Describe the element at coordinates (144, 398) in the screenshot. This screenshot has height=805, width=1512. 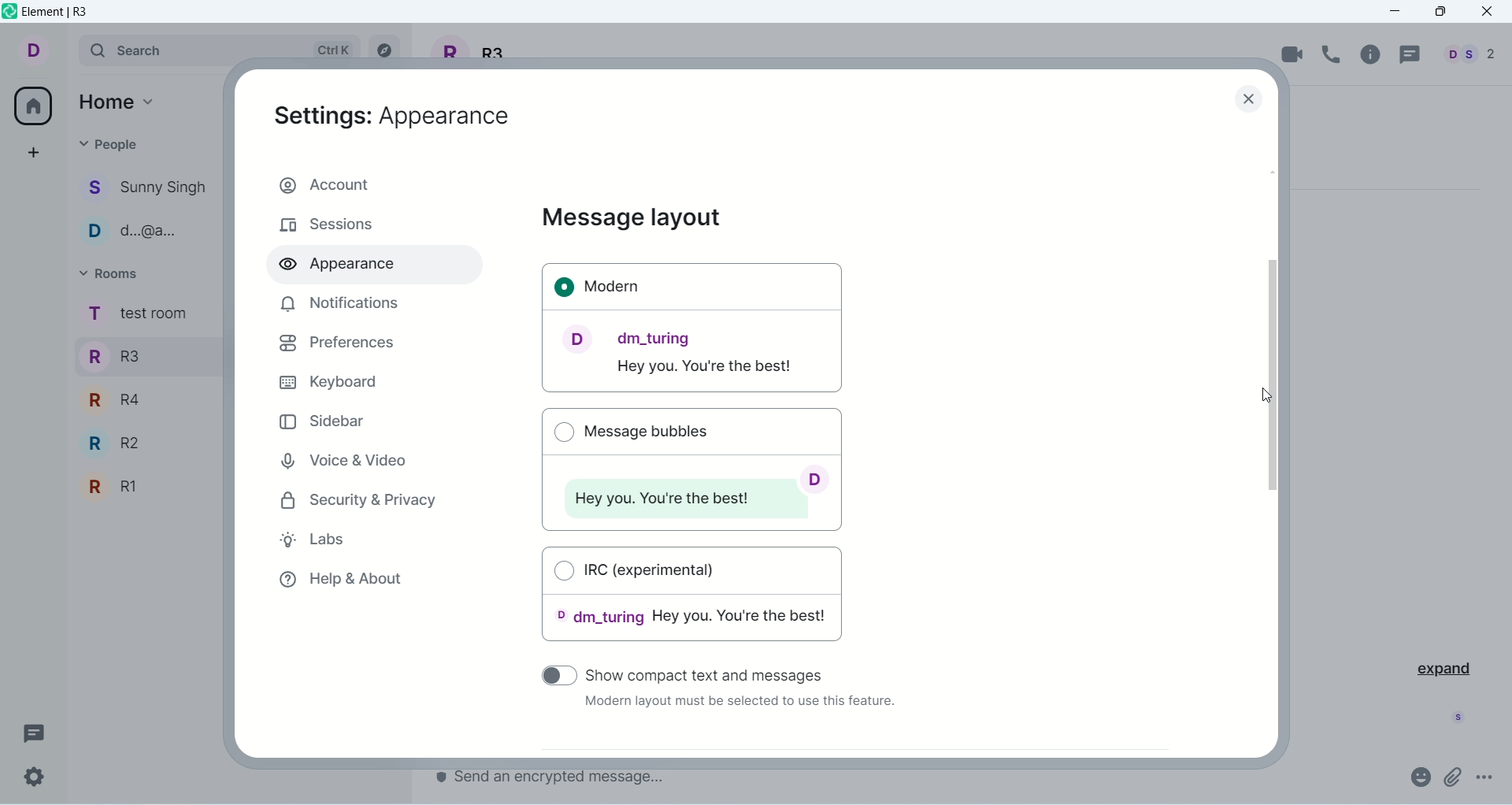
I see `R4` at that location.